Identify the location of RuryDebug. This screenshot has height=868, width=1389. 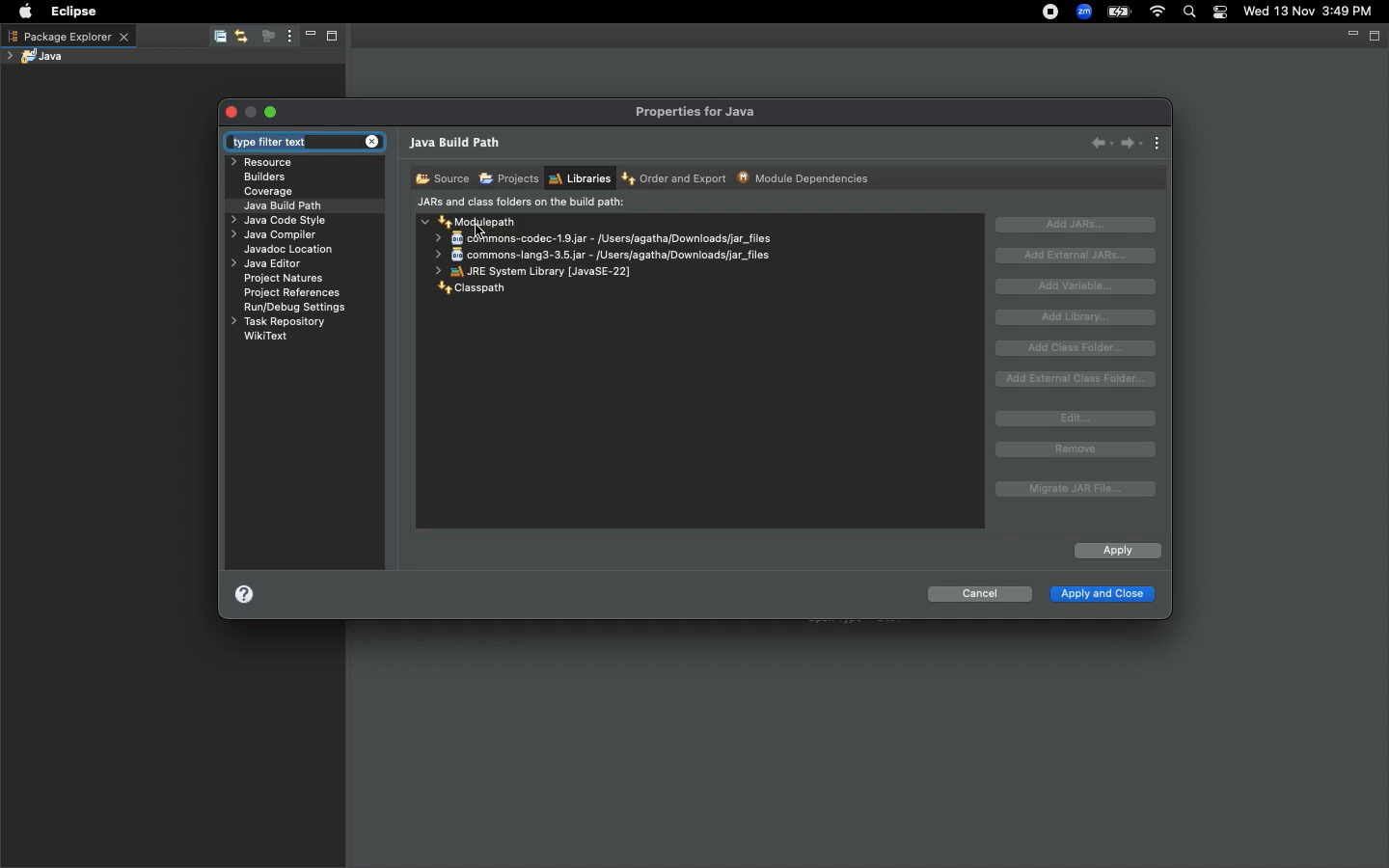
(295, 310).